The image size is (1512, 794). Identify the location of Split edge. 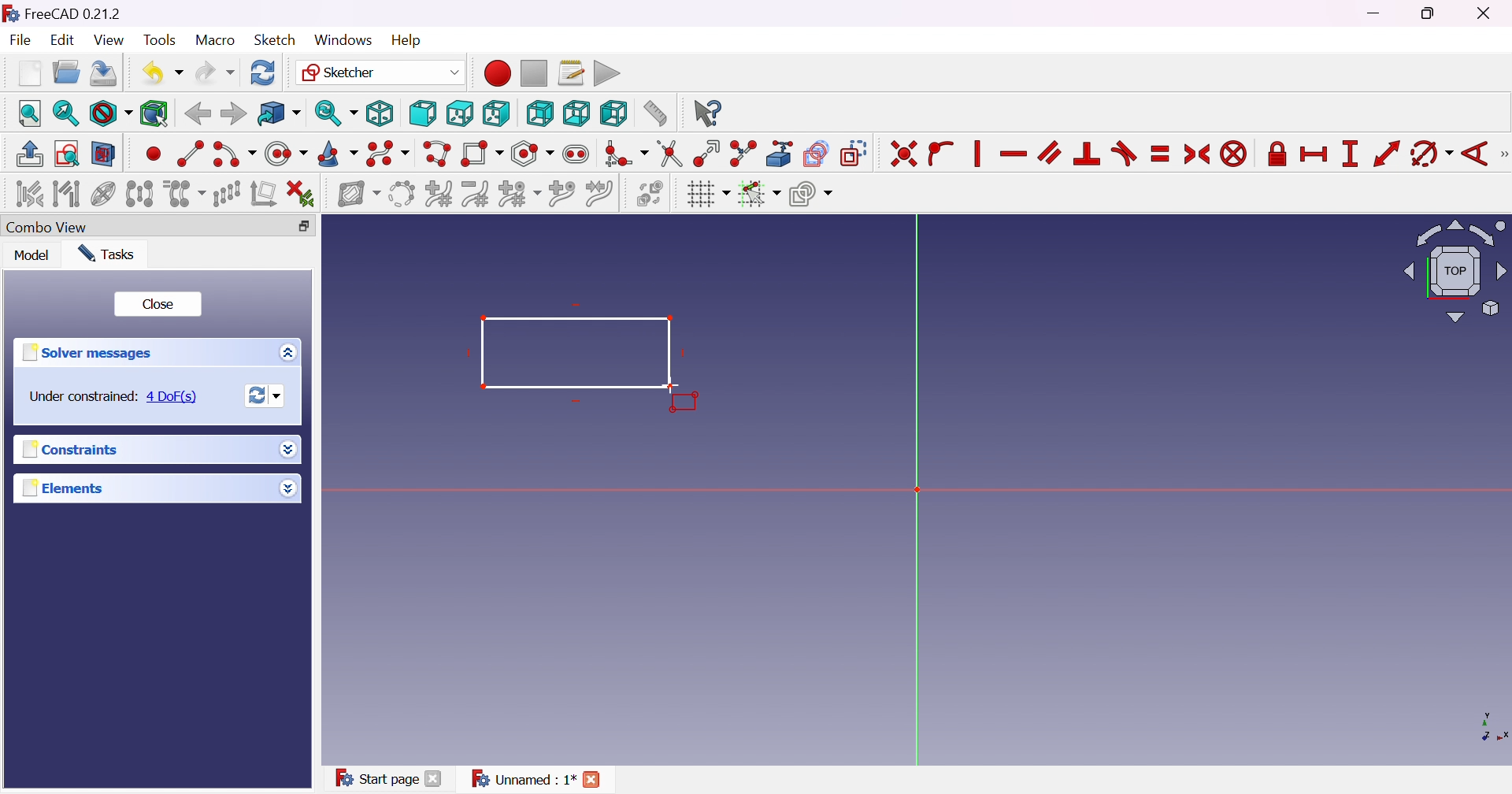
(742, 154).